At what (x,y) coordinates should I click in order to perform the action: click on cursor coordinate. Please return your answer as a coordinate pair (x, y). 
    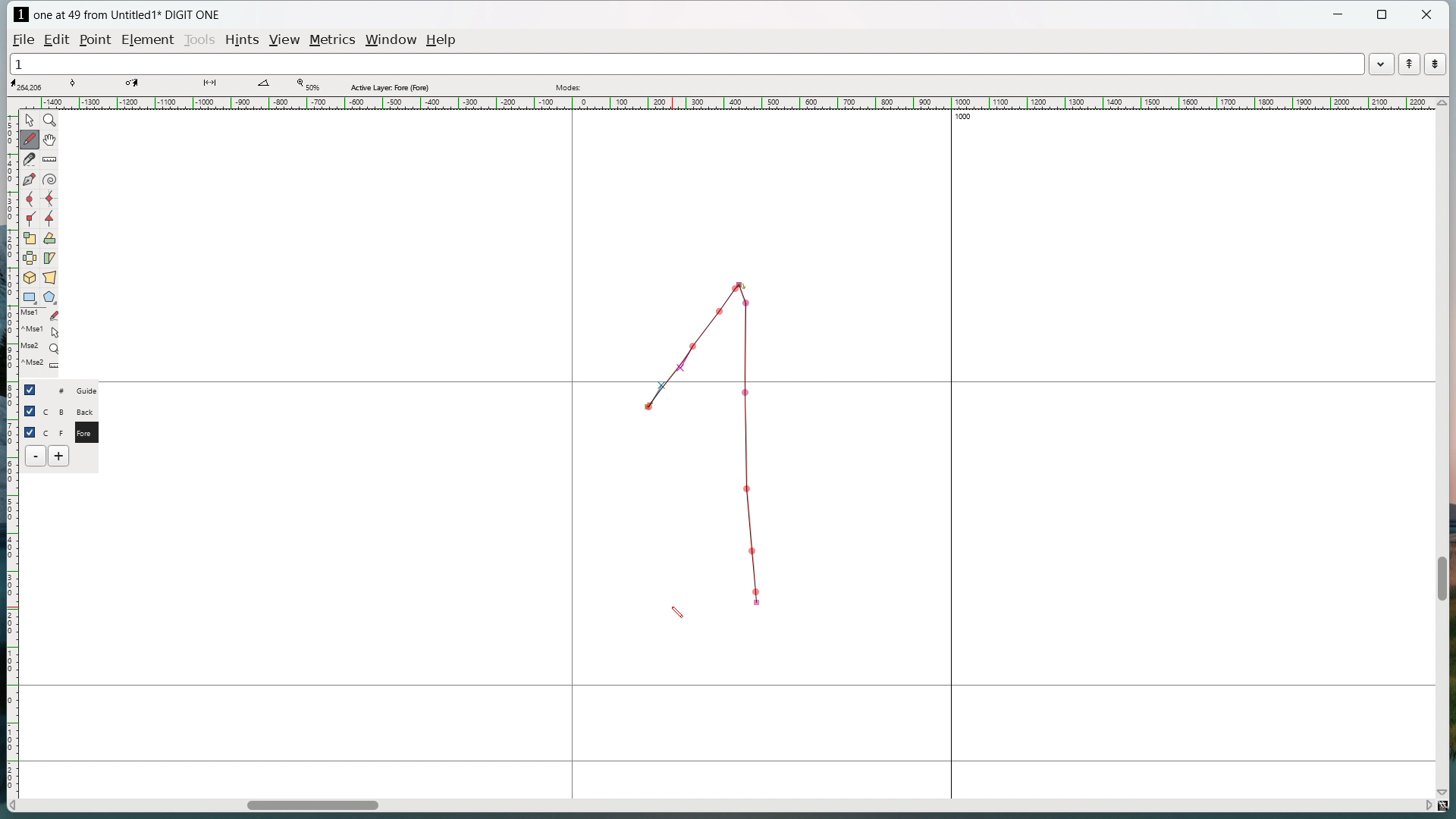
    Looking at the image, I should click on (31, 85).